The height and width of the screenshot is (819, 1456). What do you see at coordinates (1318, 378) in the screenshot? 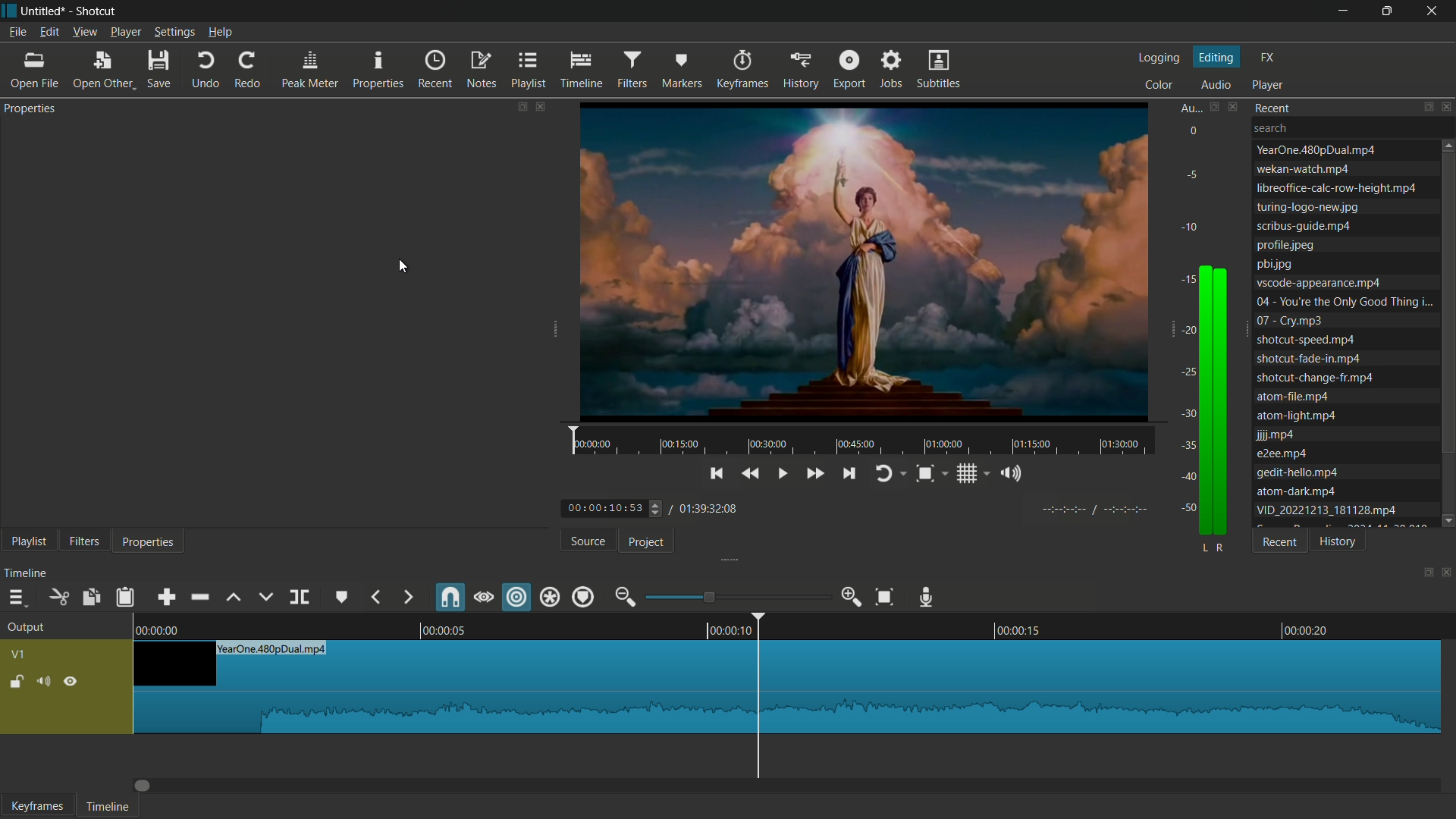
I see `file-13` at bounding box center [1318, 378].